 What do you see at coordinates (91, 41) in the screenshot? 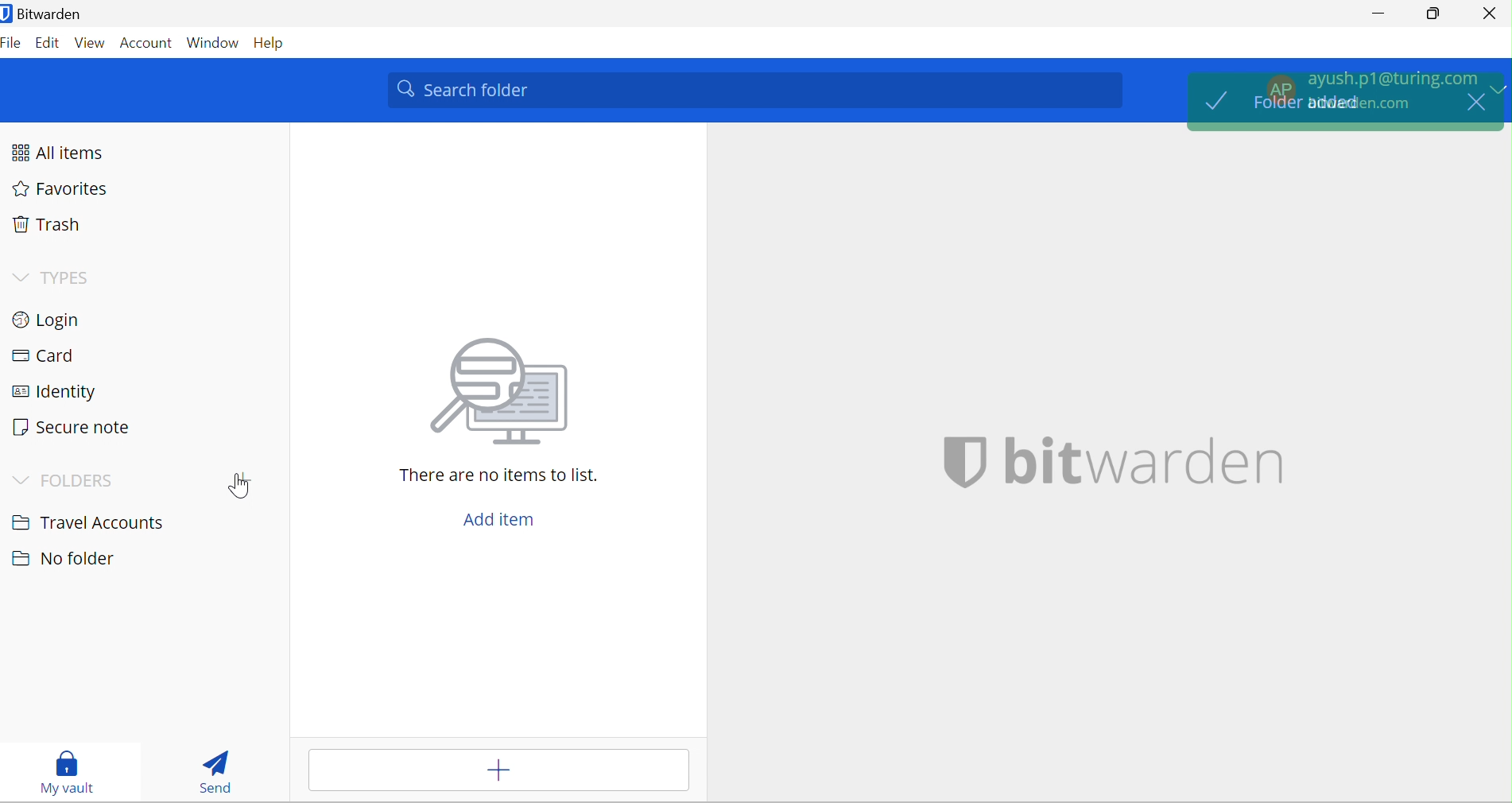
I see `View` at bounding box center [91, 41].